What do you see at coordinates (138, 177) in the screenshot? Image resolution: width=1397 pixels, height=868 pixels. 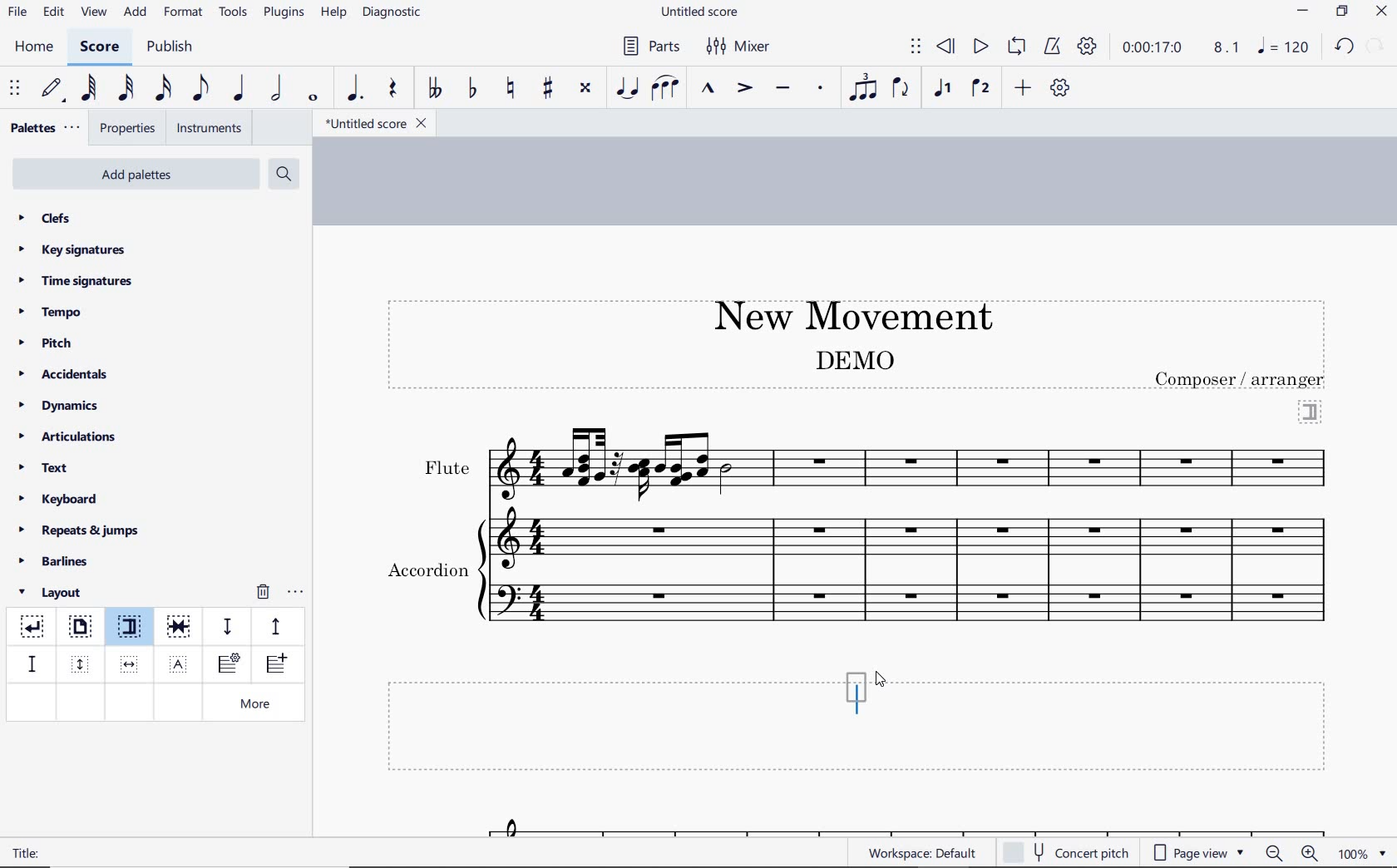 I see `add palettes` at bounding box center [138, 177].